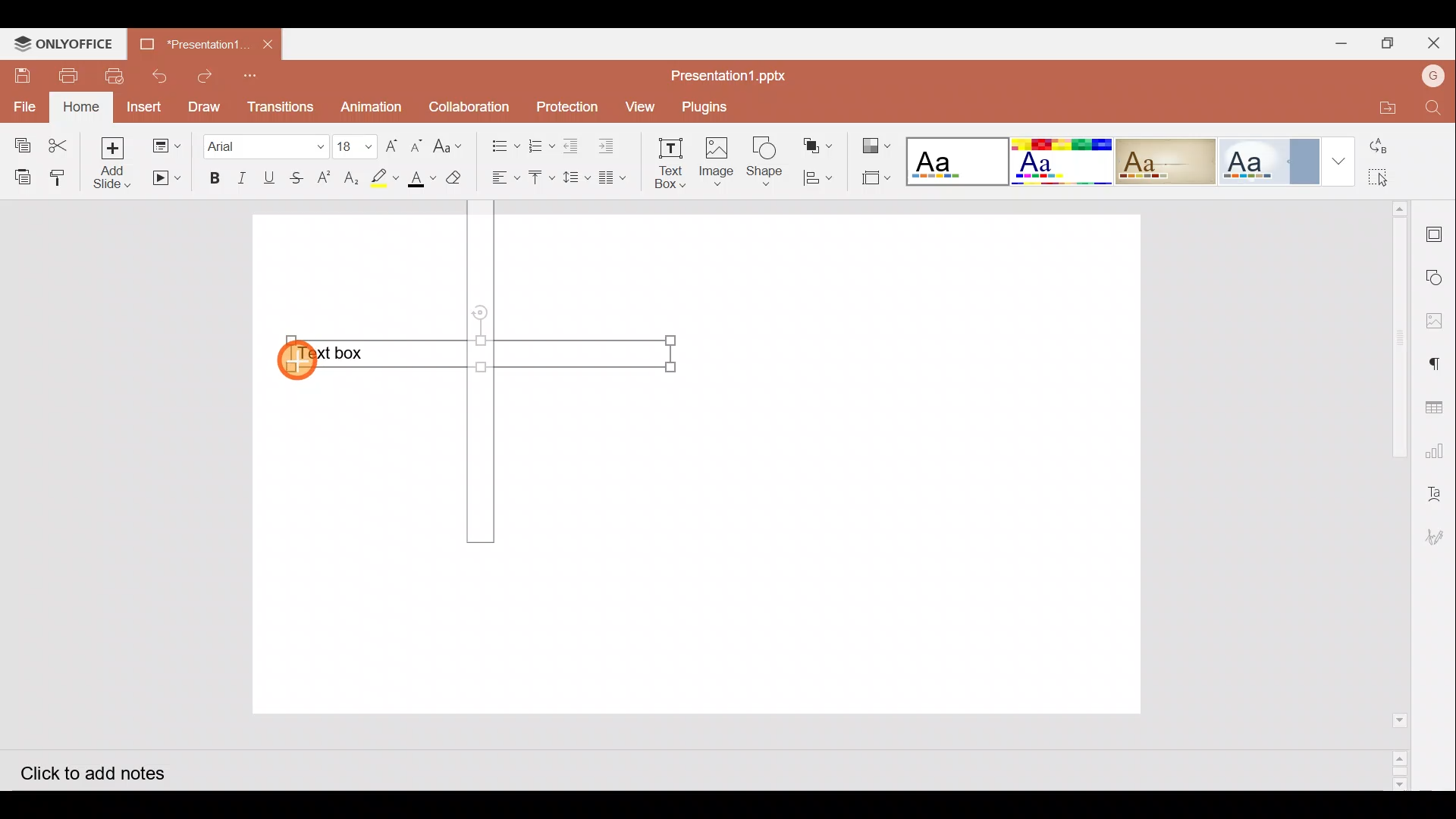  I want to click on Slide settings, so click(1439, 232).